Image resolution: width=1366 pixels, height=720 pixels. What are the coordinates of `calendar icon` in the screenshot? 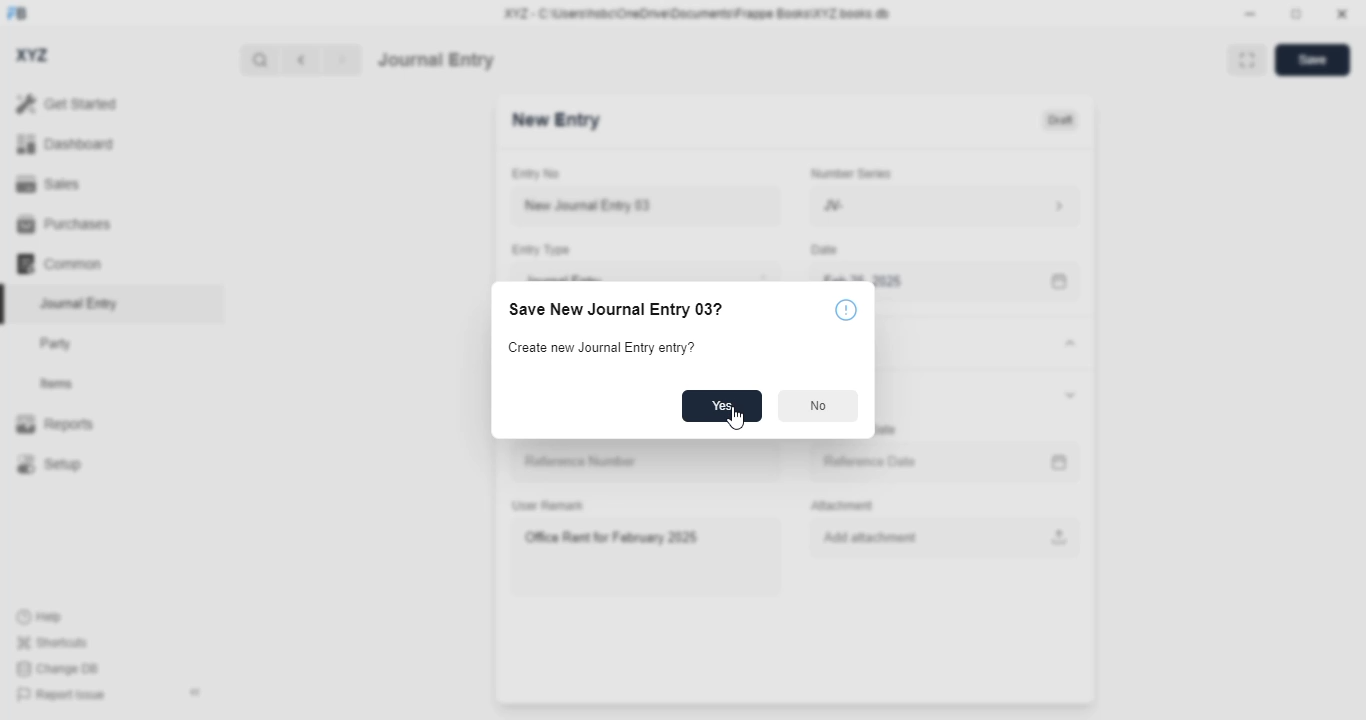 It's located at (1060, 463).